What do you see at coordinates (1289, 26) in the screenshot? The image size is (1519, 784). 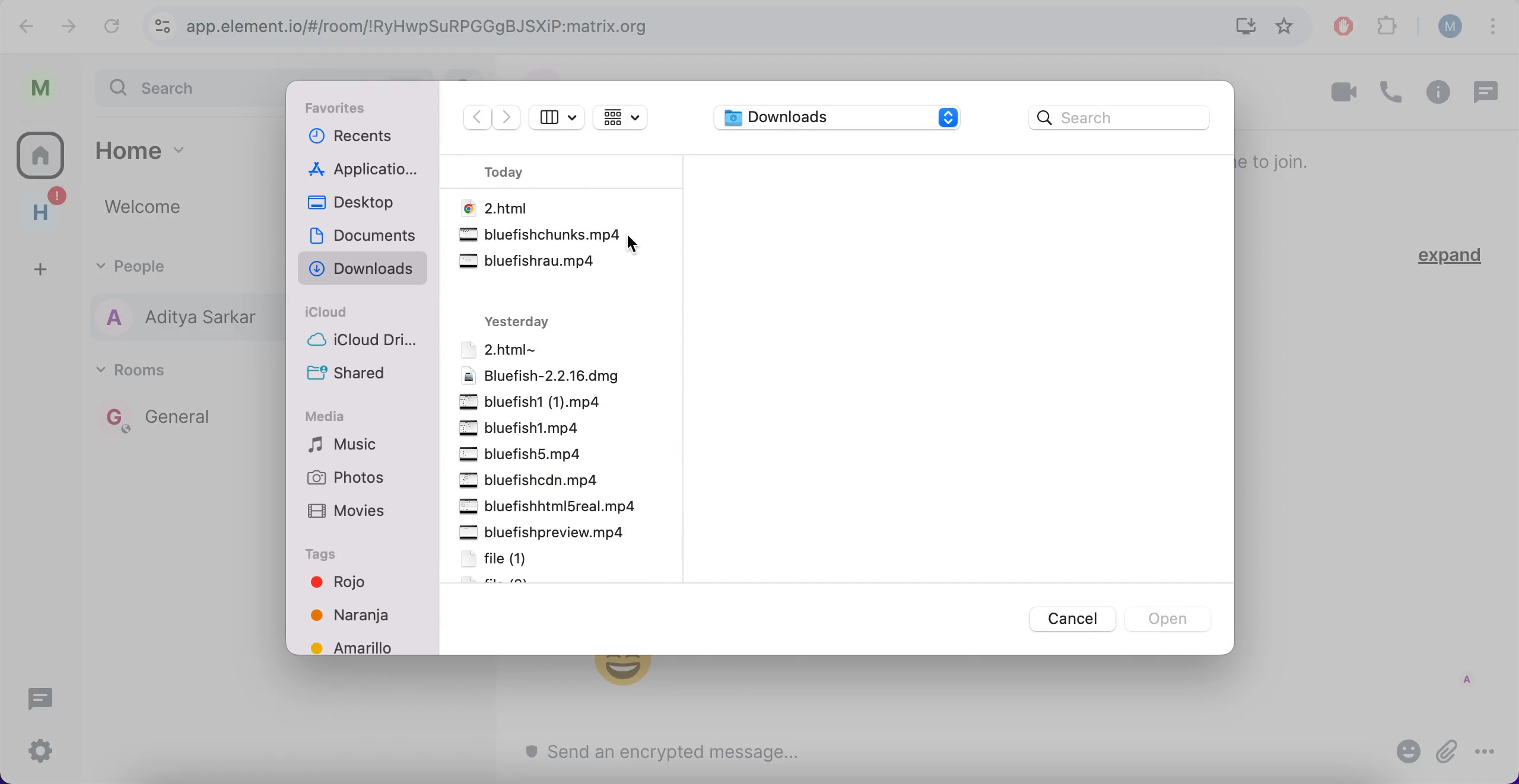 I see `favorites` at bounding box center [1289, 26].